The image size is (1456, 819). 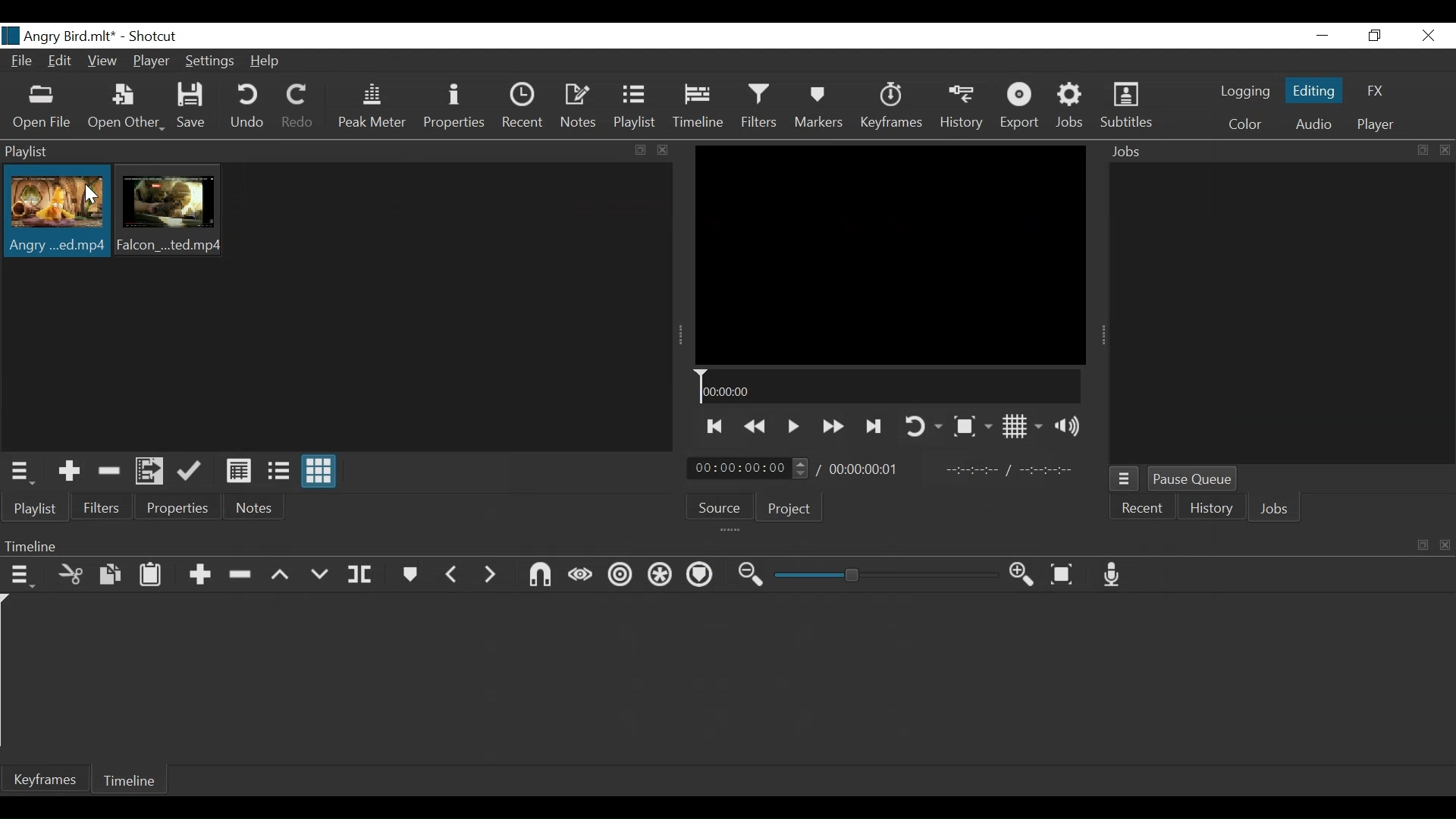 I want to click on Cut, so click(x=71, y=576).